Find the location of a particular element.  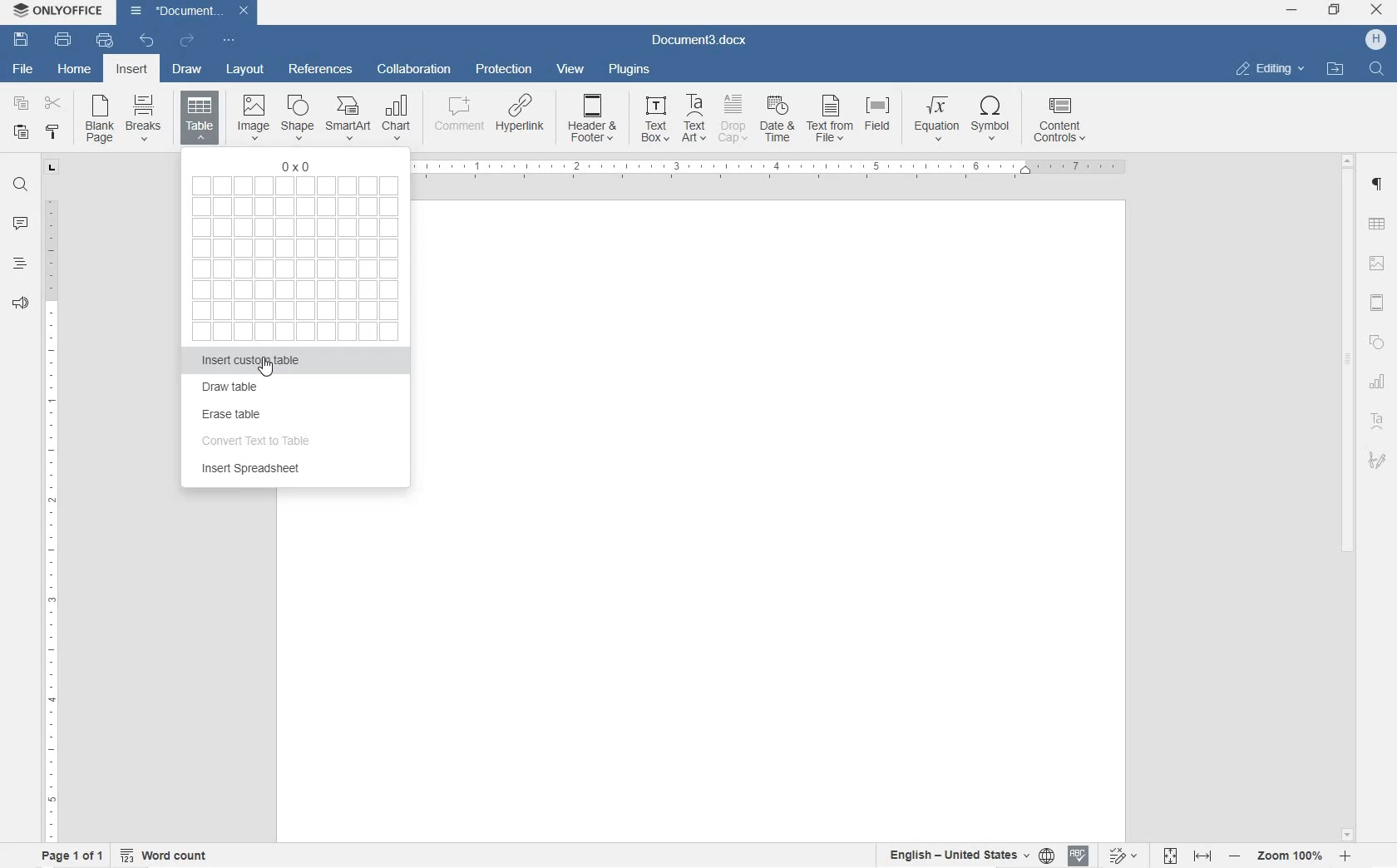

SHAPE is located at coordinates (1375, 345).